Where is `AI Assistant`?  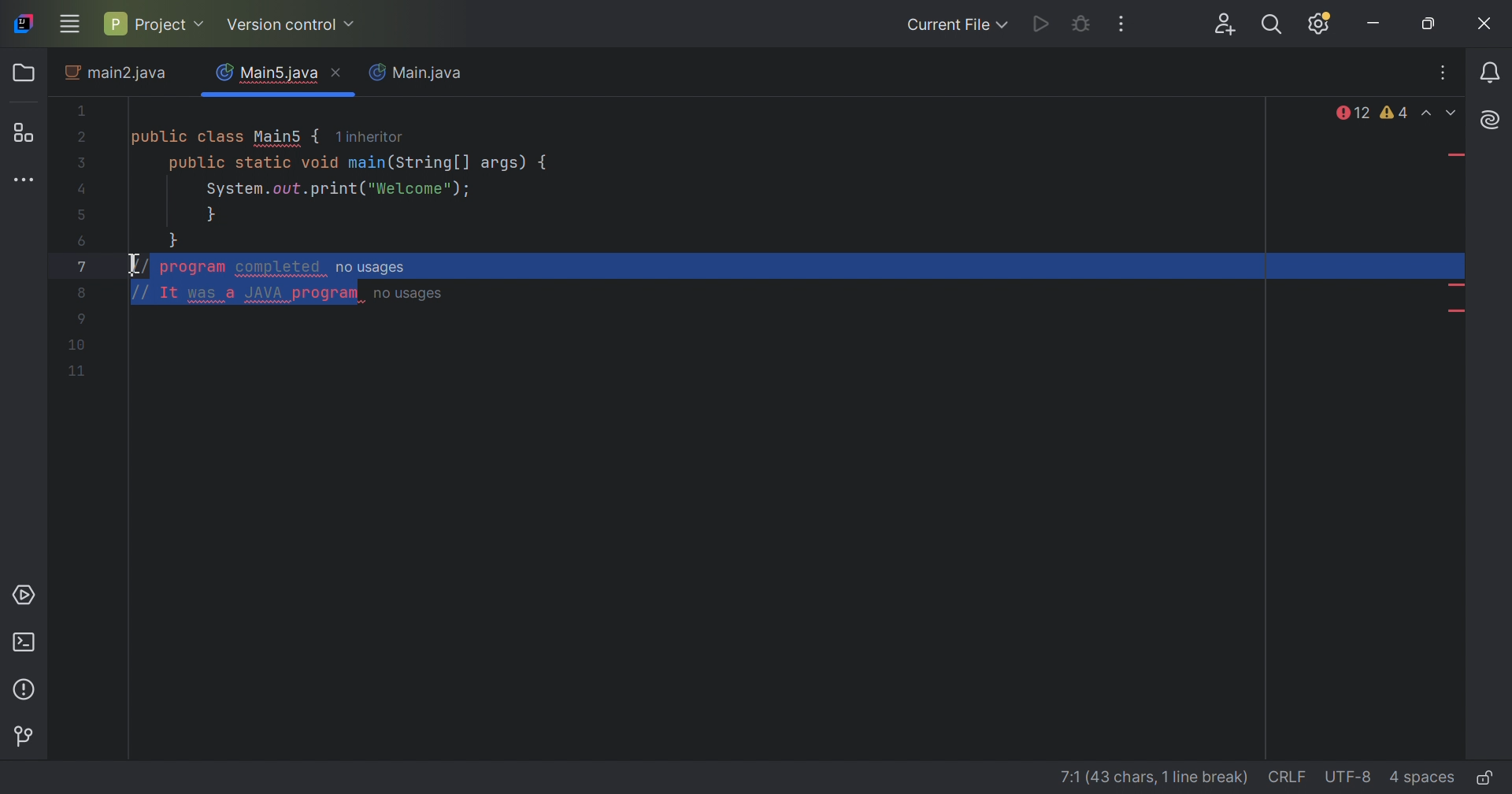
AI Assistant is located at coordinates (1492, 121).